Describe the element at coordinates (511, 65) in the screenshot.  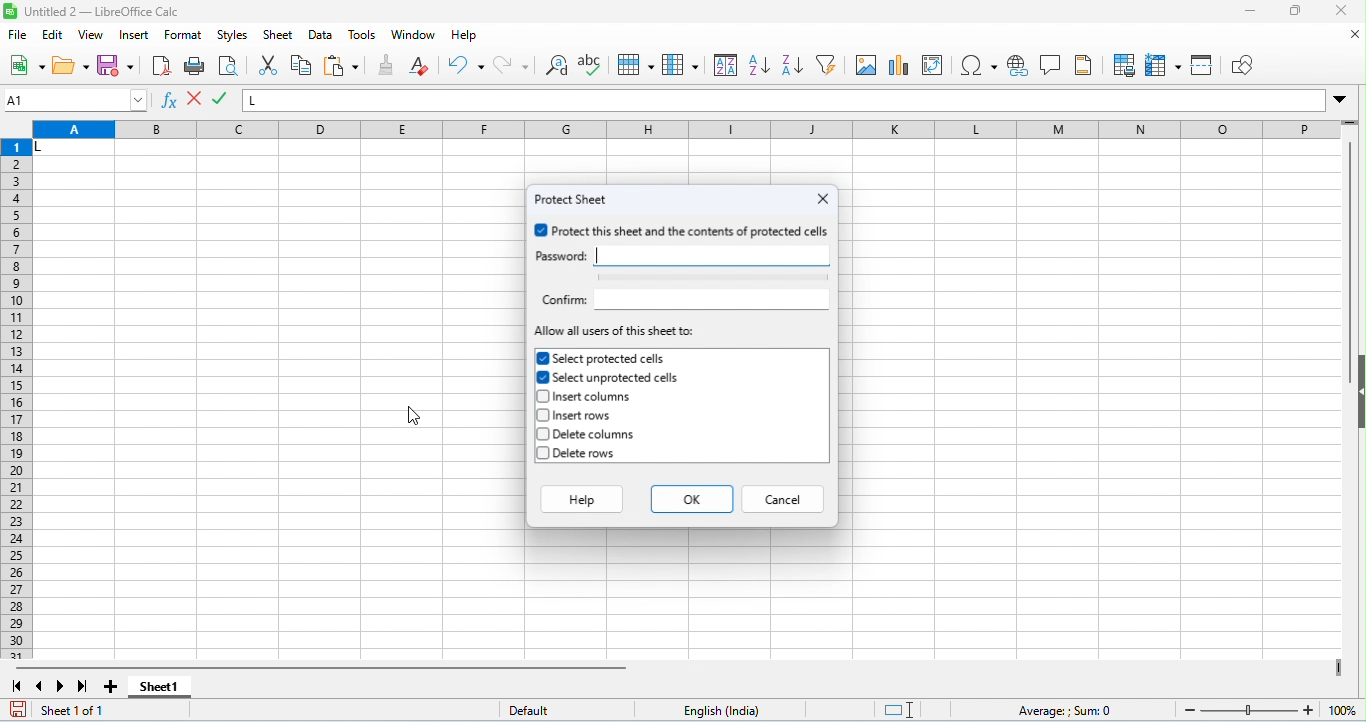
I see `redo` at that location.